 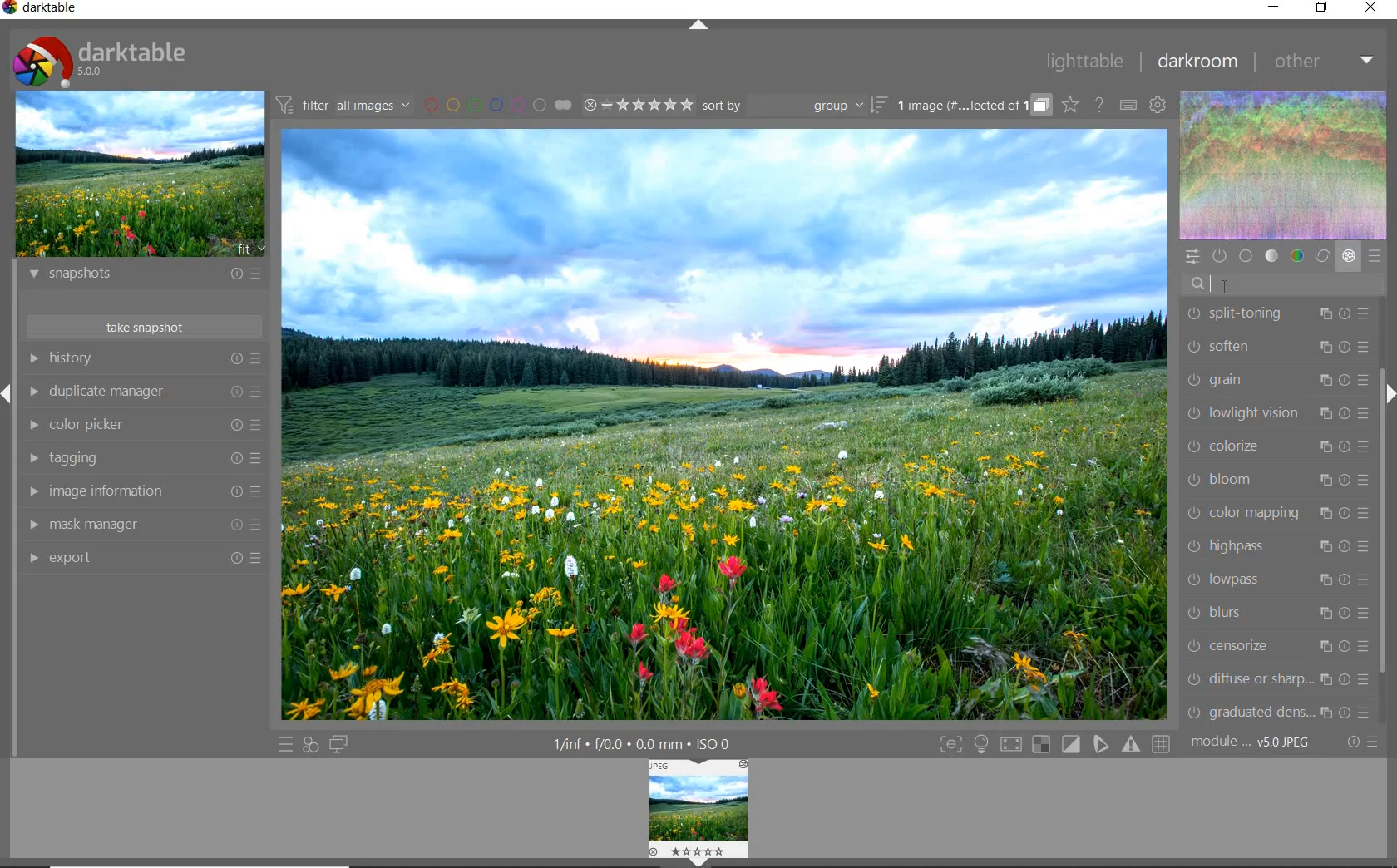 I want to click on color picker, so click(x=144, y=424).